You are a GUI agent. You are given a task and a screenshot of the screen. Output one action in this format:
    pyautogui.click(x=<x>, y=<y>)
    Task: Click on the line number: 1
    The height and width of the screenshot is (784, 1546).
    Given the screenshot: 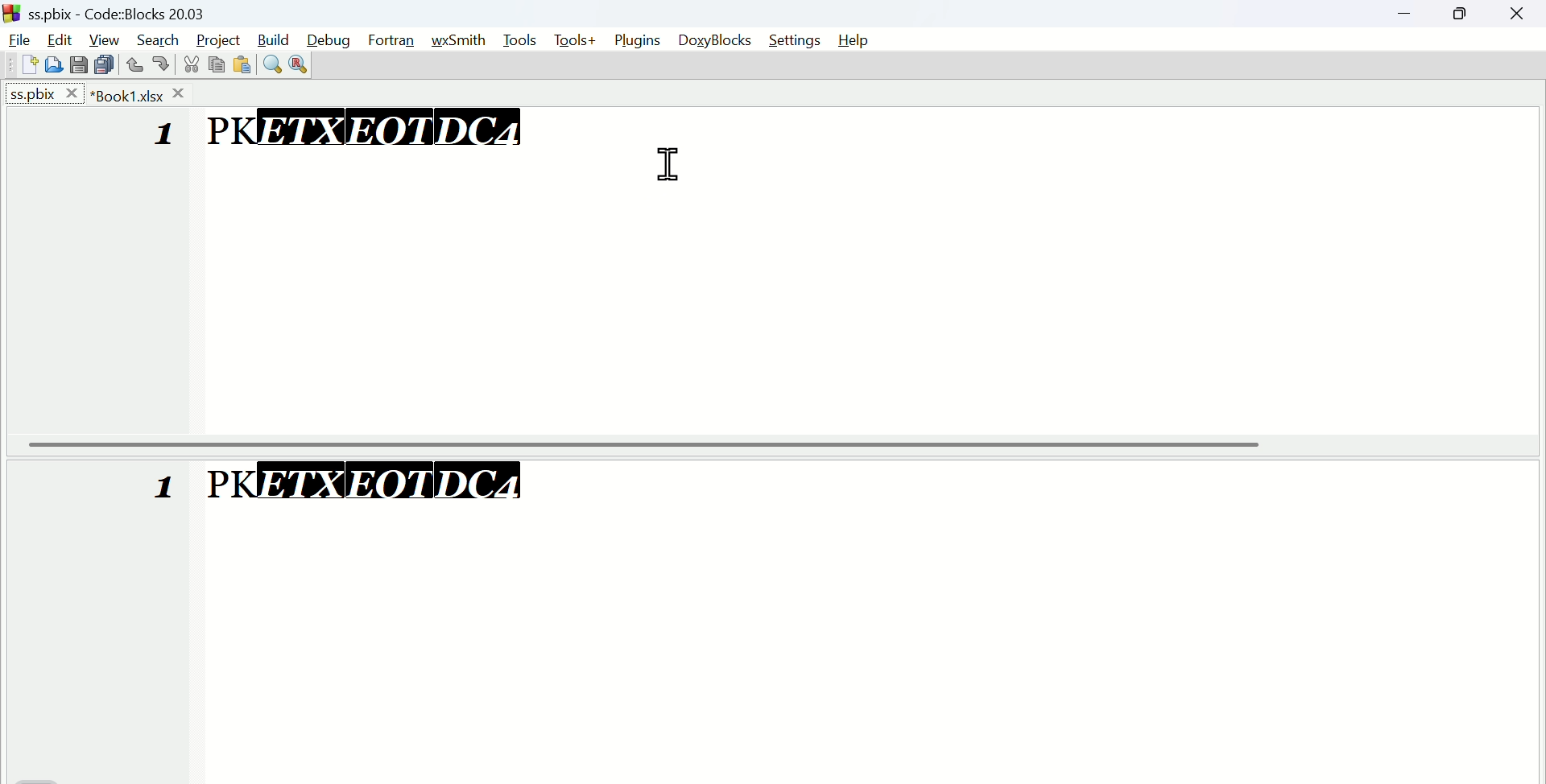 What is the action you would take?
    pyautogui.click(x=166, y=489)
    